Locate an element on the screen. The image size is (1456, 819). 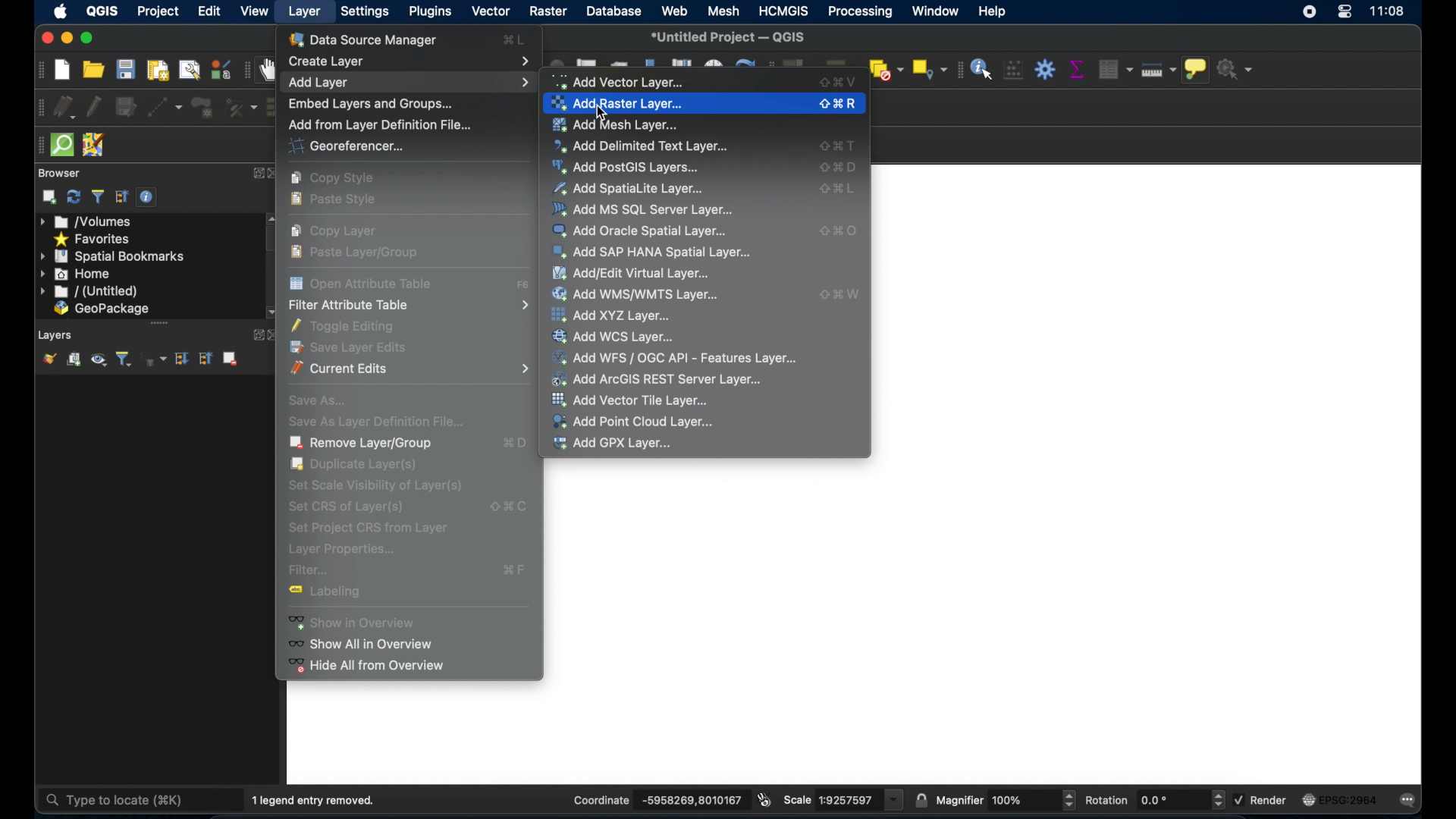
add arcgis rest server layer is located at coordinates (658, 379).